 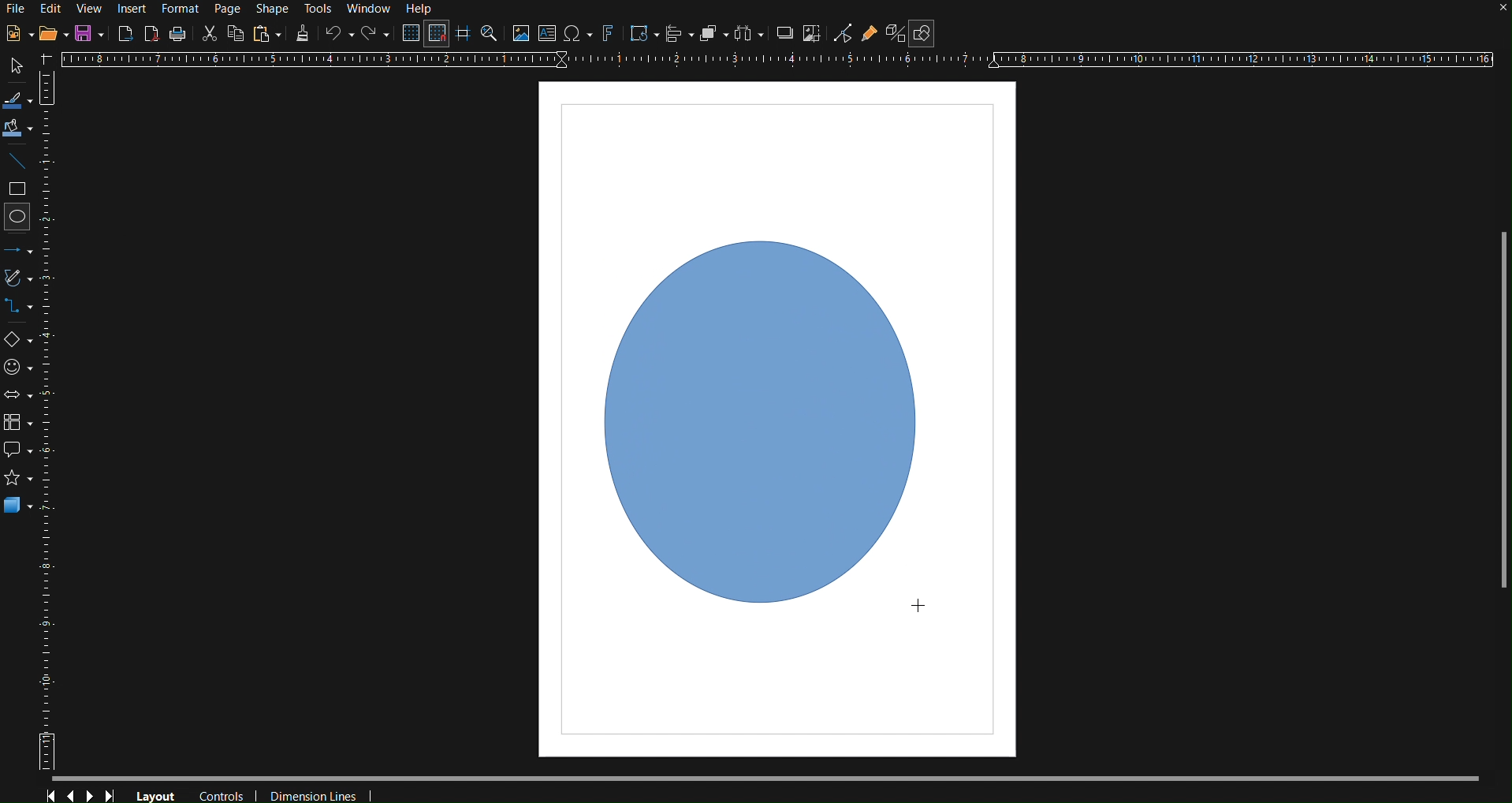 I want to click on Horizontal Ruler, so click(x=776, y=60).